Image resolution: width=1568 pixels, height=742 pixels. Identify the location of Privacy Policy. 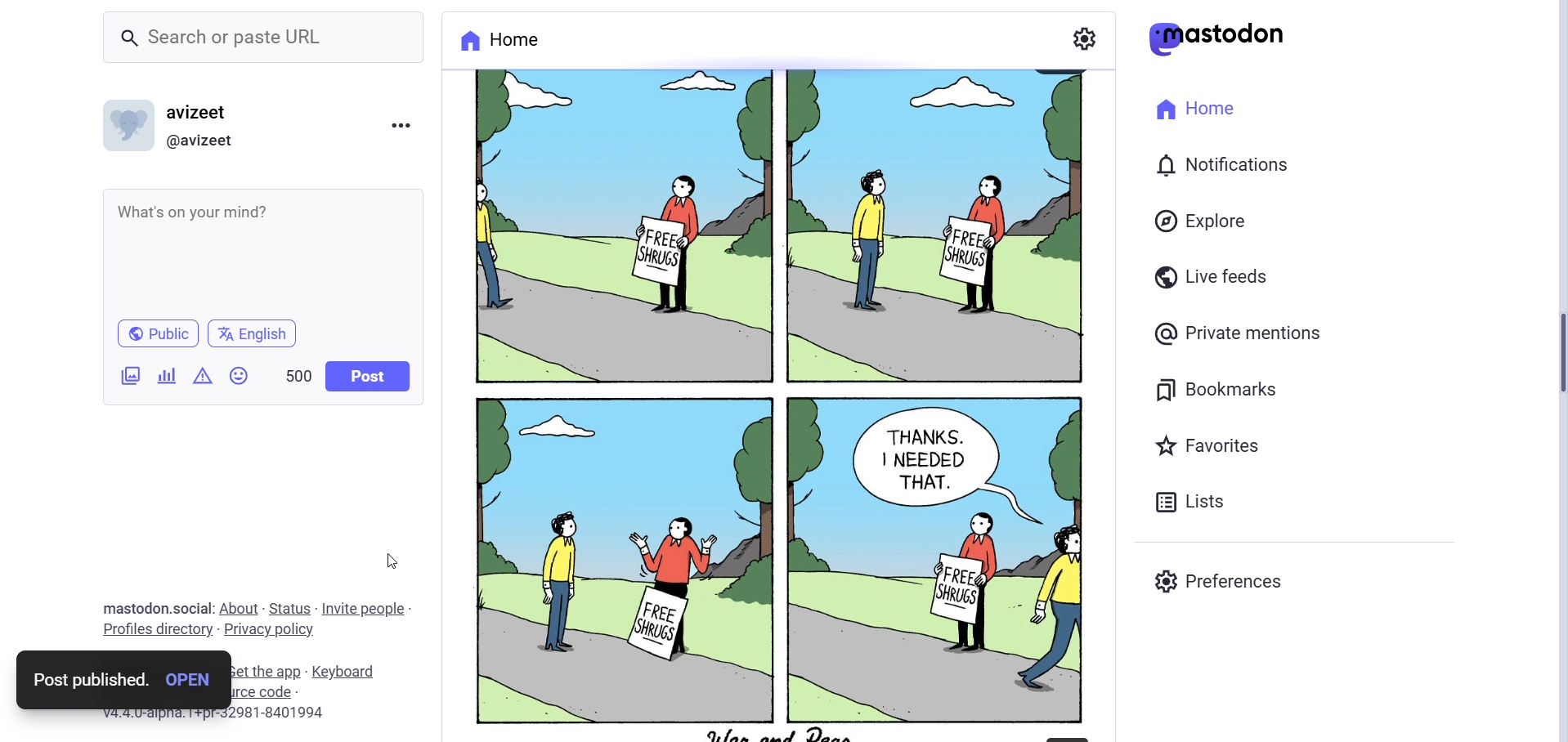
(269, 630).